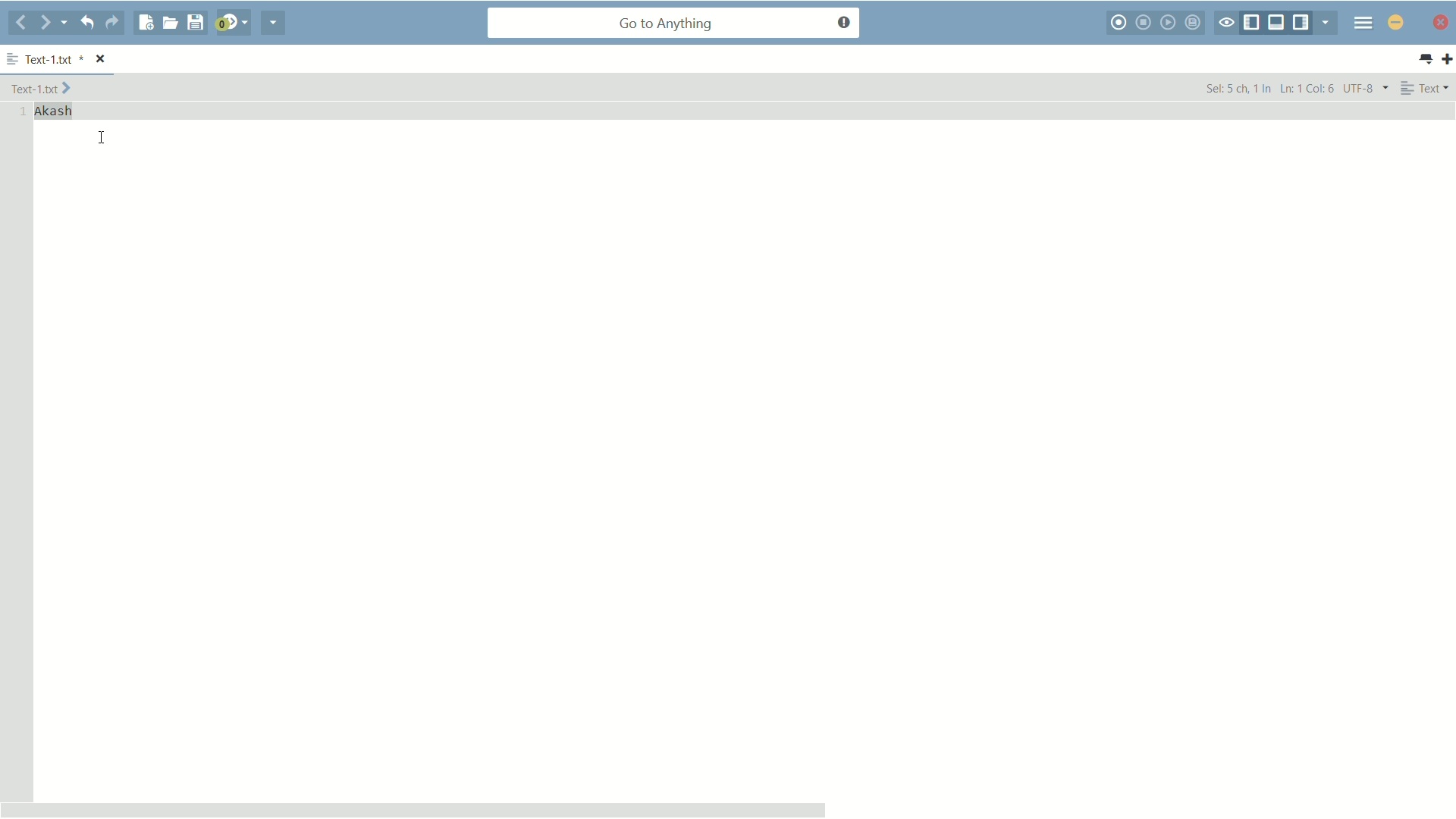  What do you see at coordinates (1145, 22) in the screenshot?
I see `stop macro` at bounding box center [1145, 22].